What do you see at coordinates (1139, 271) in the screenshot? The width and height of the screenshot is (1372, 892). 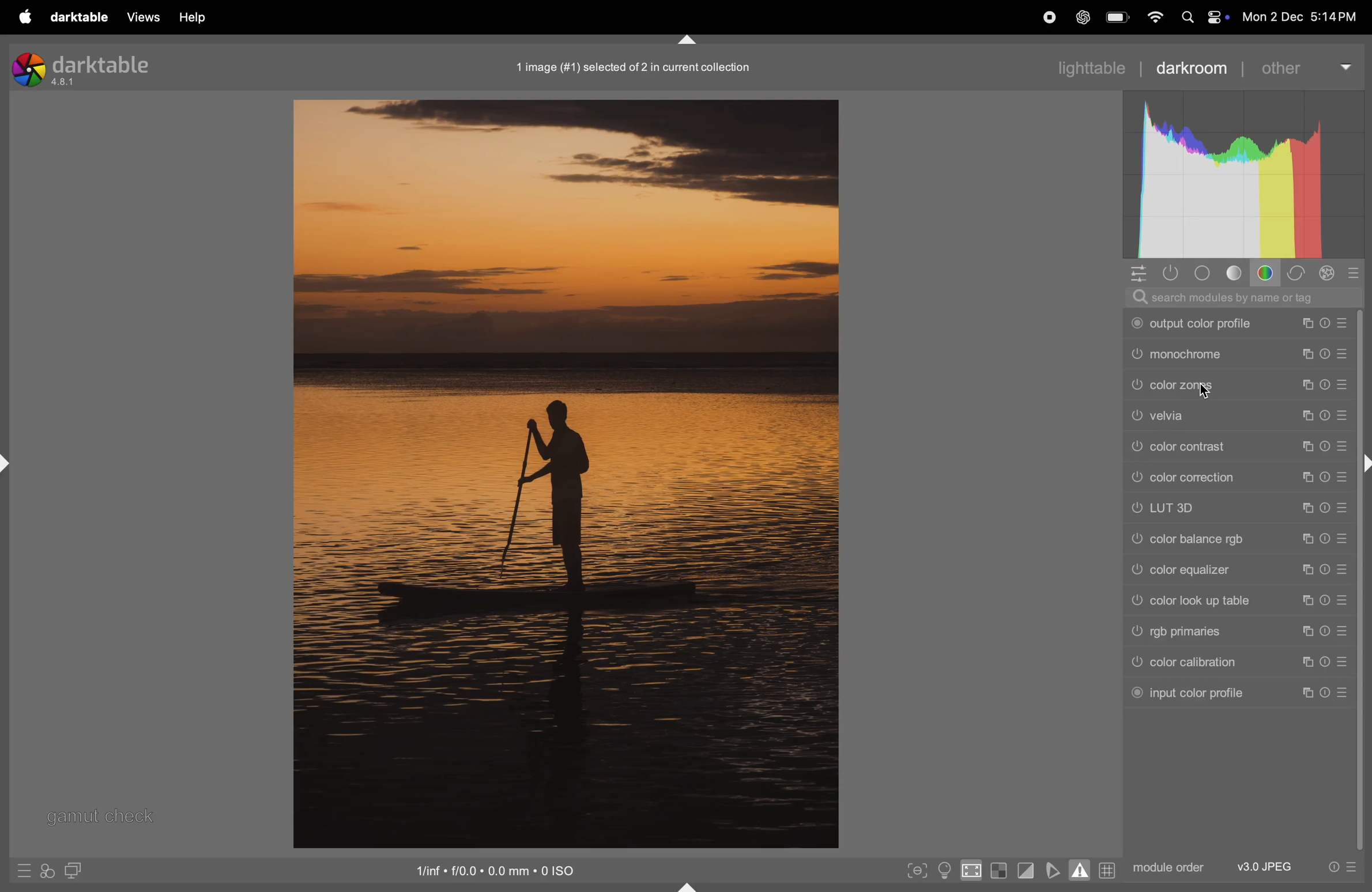 I see `quick panel` at bounding box center [1139, 271].